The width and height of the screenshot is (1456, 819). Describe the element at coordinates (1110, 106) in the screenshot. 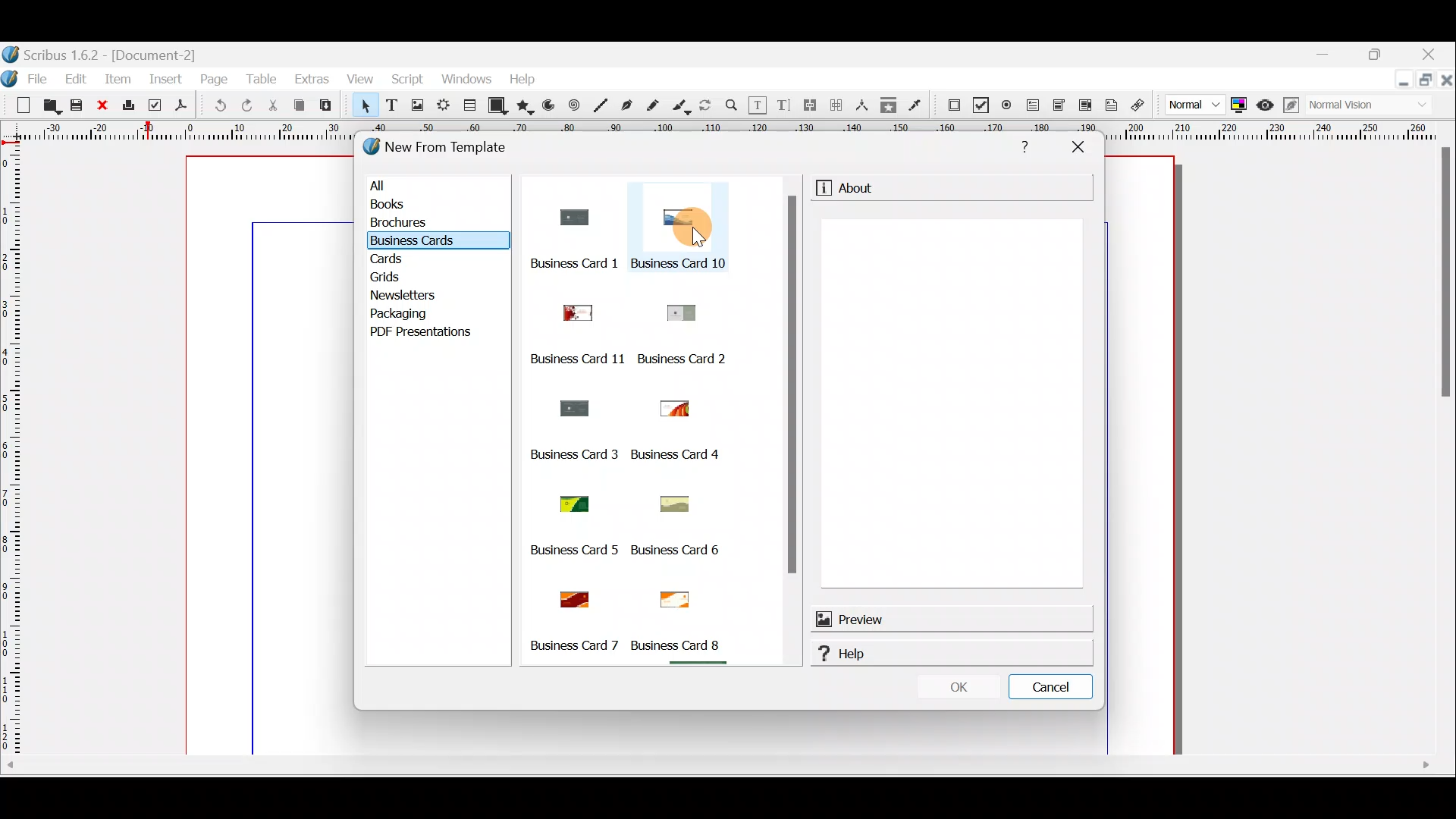

I see `Text annotation` at that location.